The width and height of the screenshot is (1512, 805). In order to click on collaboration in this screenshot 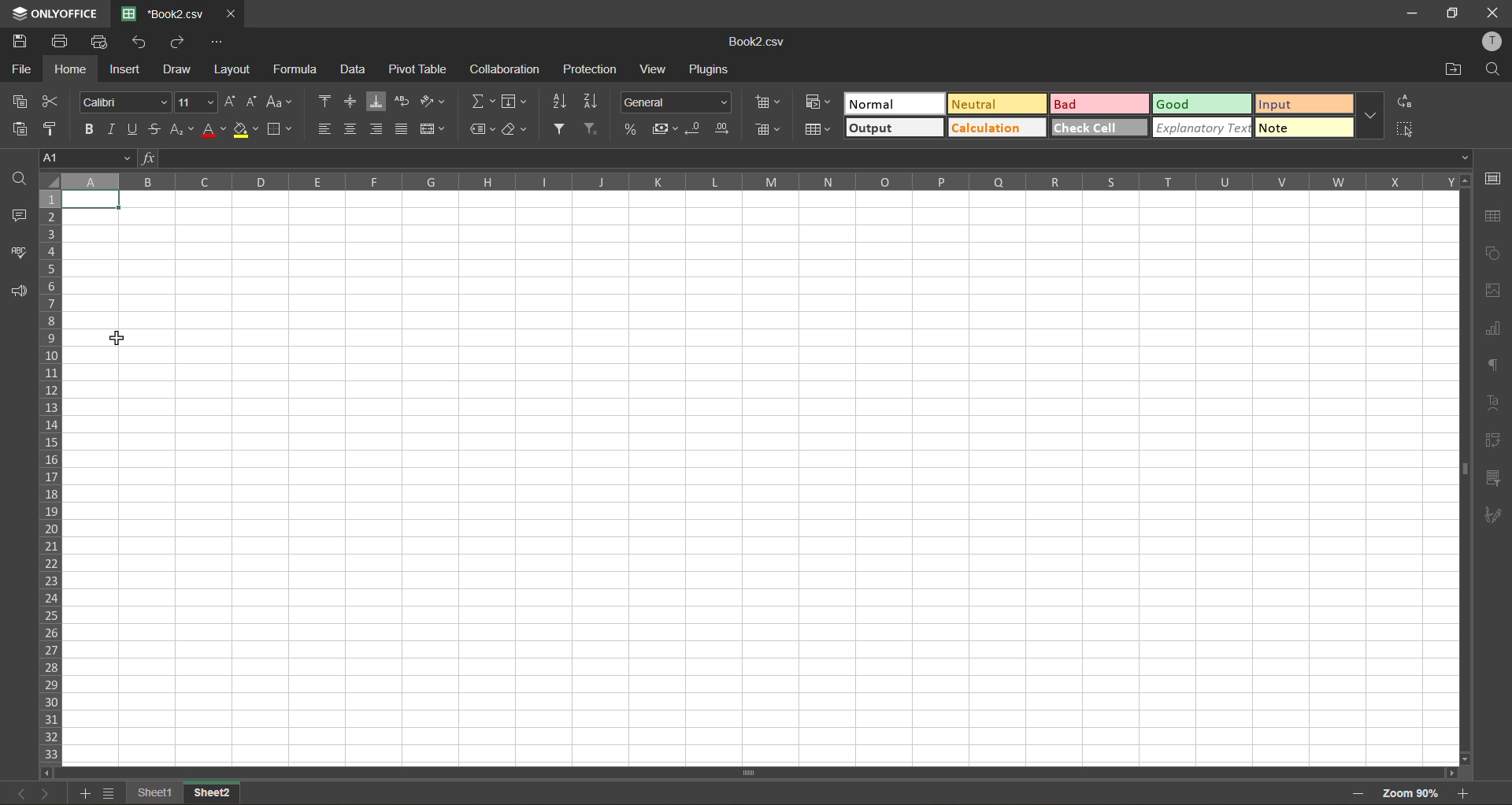, I will do `click(506, 69)`.